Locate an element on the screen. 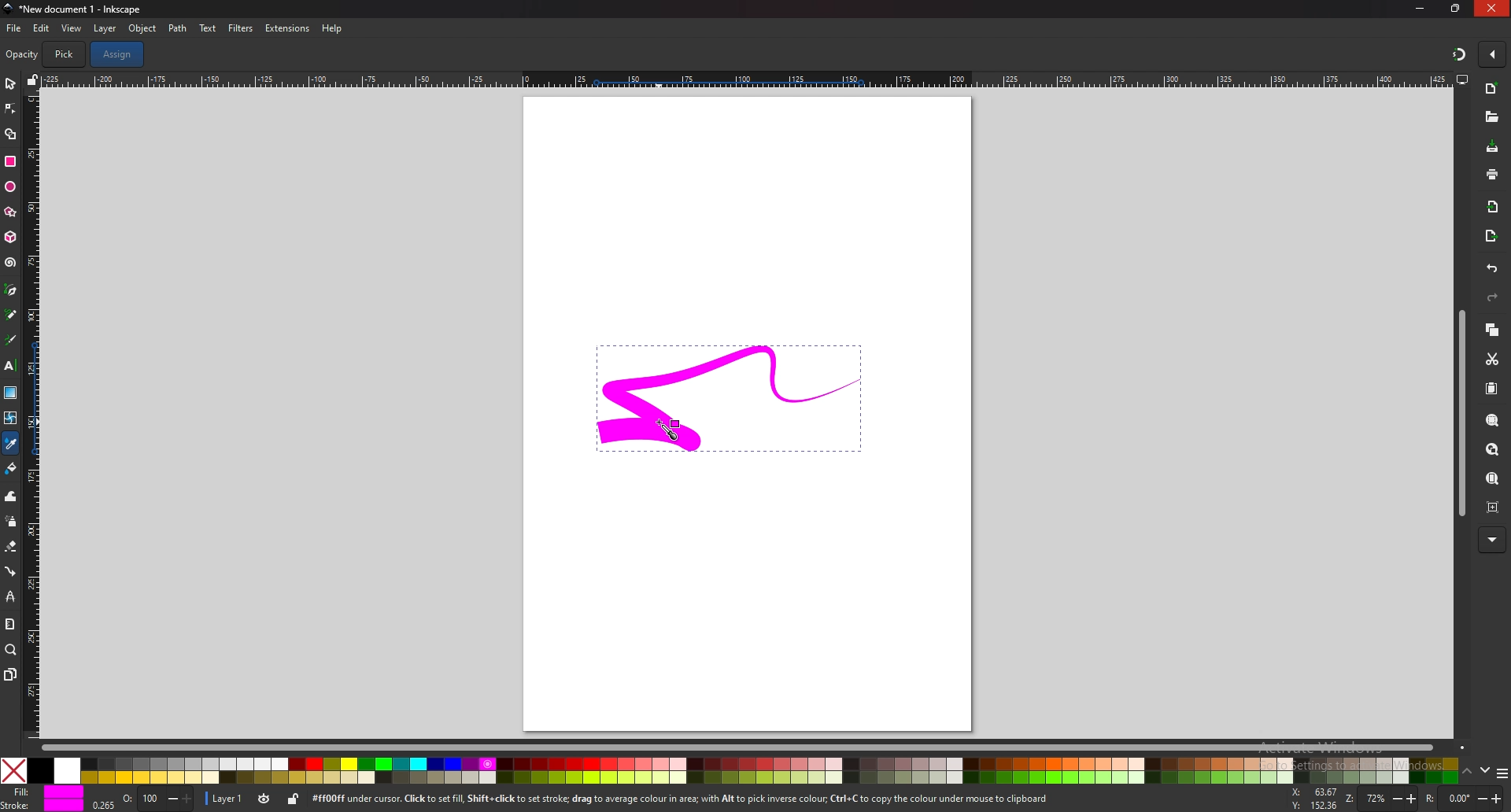  rotate is located at coordinates (1461, 799).